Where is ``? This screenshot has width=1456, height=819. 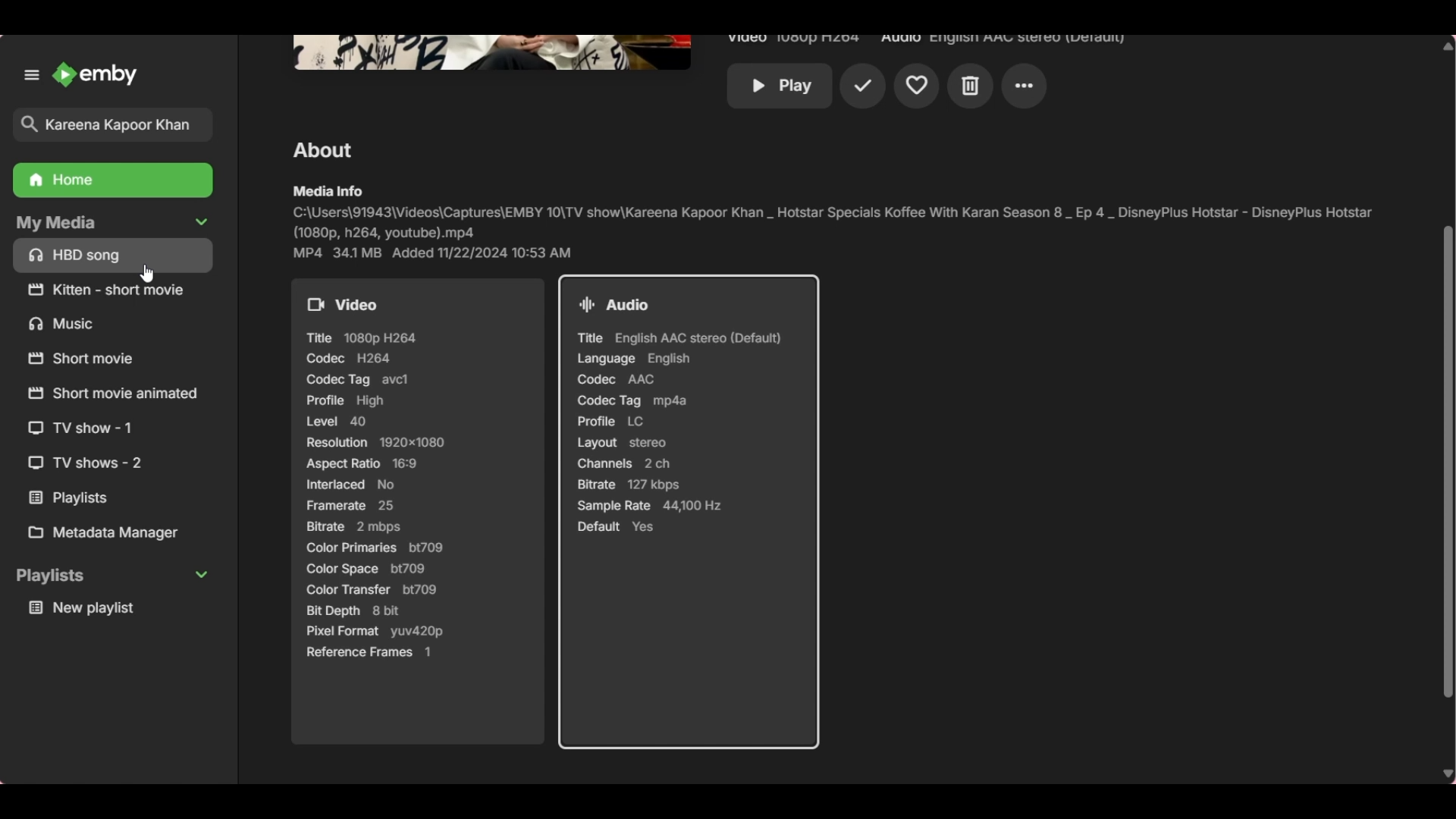  is located at coordinates (85, 290).